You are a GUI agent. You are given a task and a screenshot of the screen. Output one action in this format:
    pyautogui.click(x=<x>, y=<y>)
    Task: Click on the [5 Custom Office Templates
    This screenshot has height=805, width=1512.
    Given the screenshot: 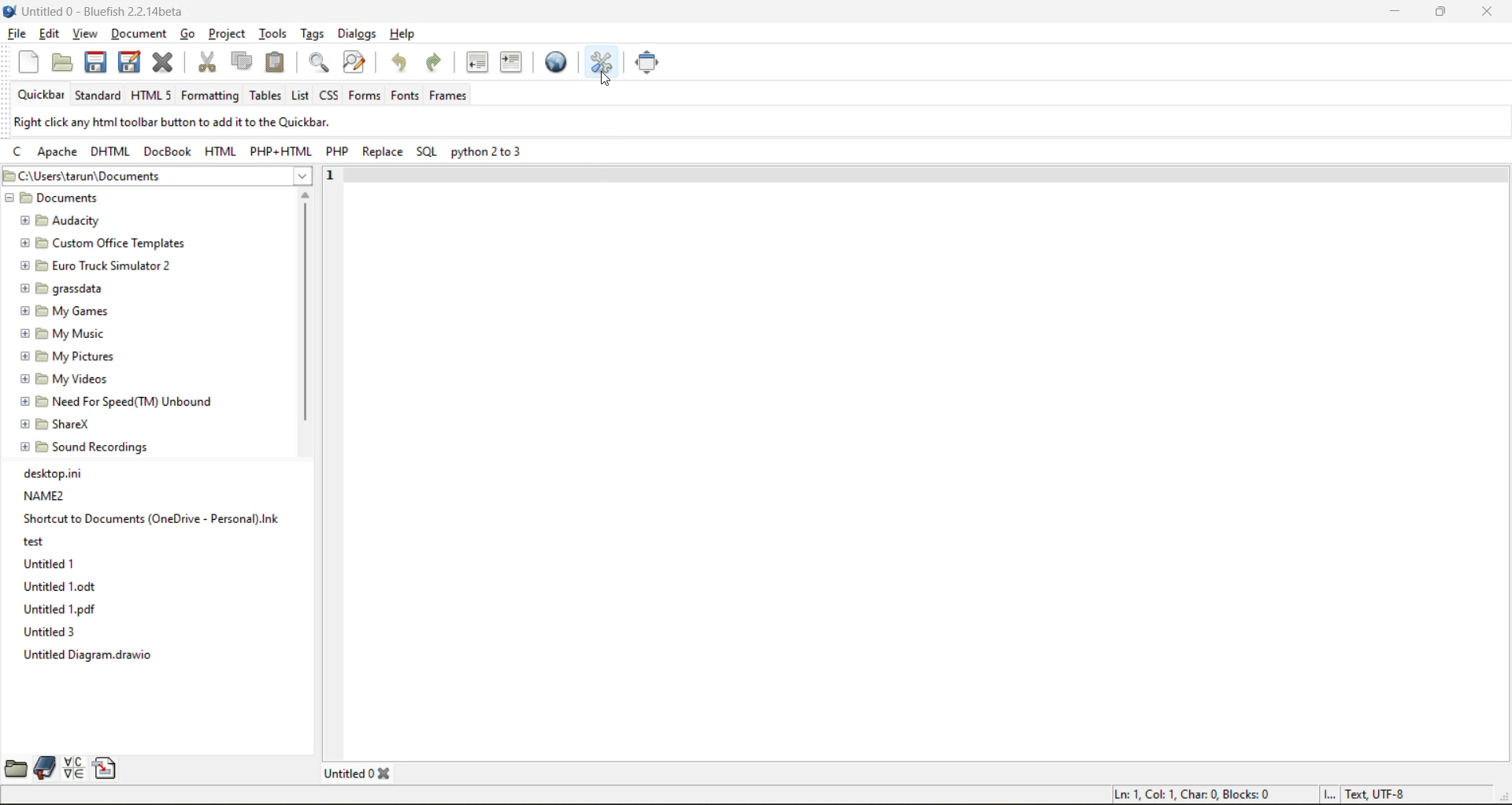 What is the action you would take?
    pyautogui.click(x=100, y=242)
    